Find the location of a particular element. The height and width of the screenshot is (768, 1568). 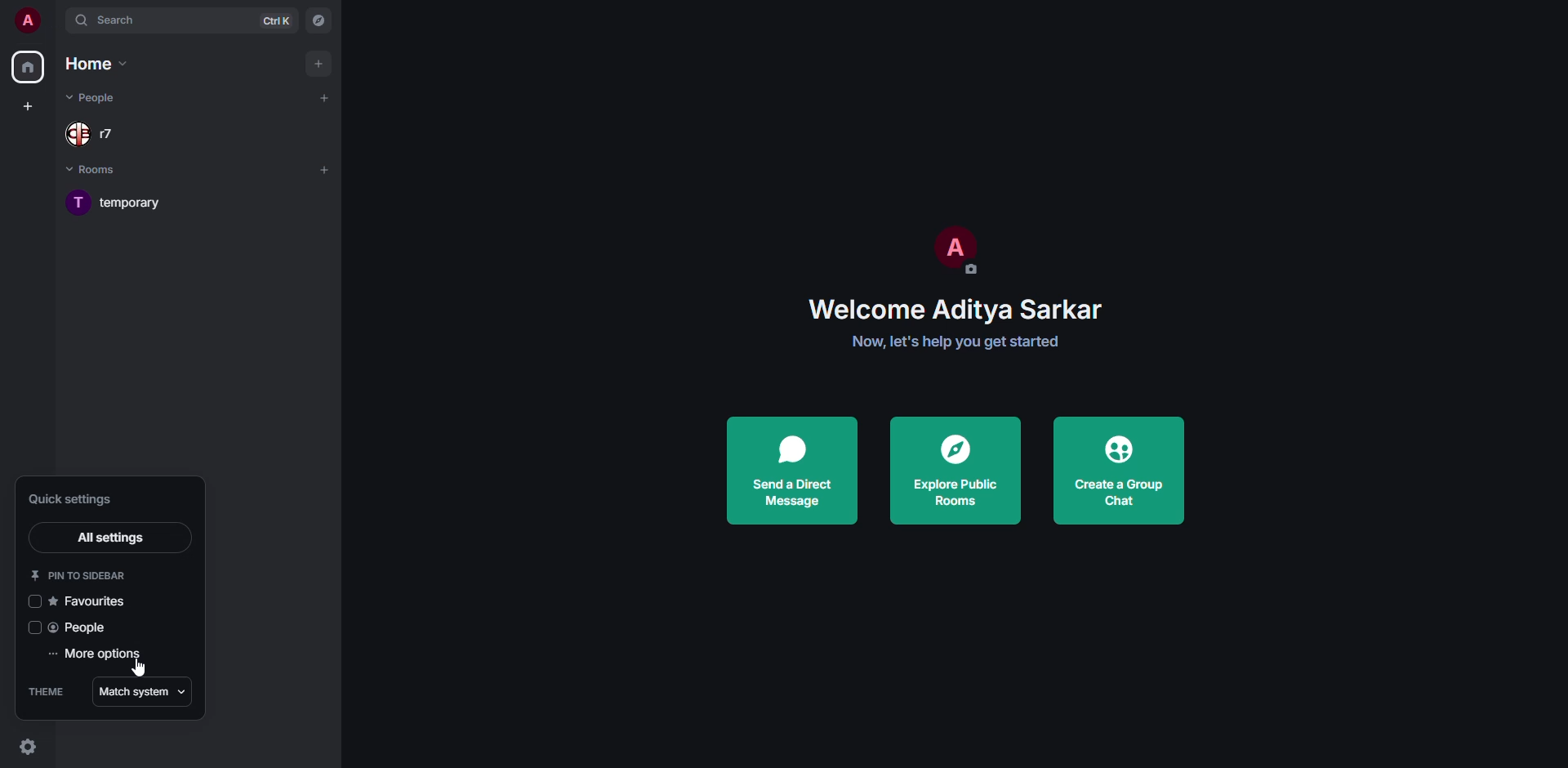

theme is located at coordinates (47, 692).